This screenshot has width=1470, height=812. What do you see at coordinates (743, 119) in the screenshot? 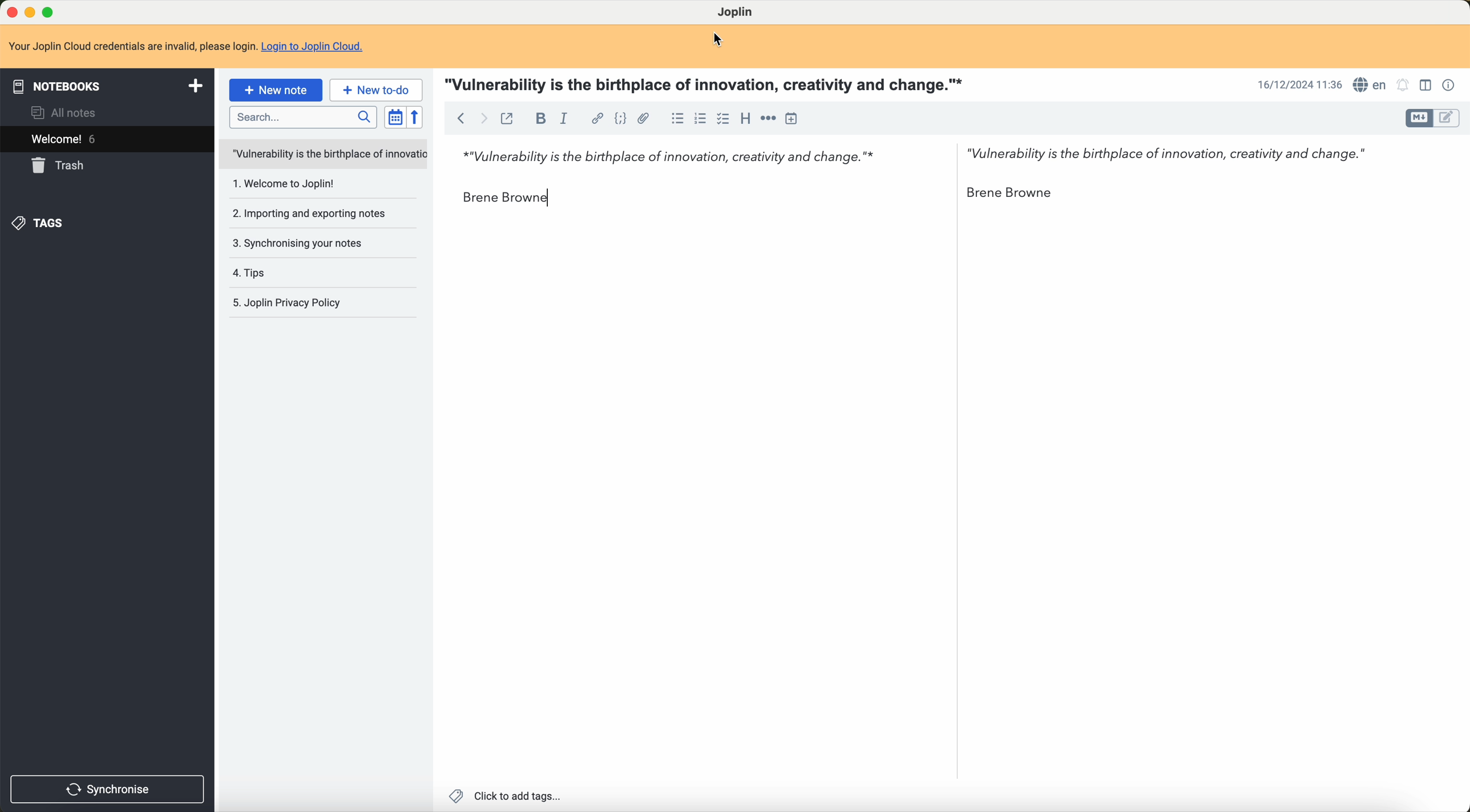
I see `heading` at bounding box center [743, 119].